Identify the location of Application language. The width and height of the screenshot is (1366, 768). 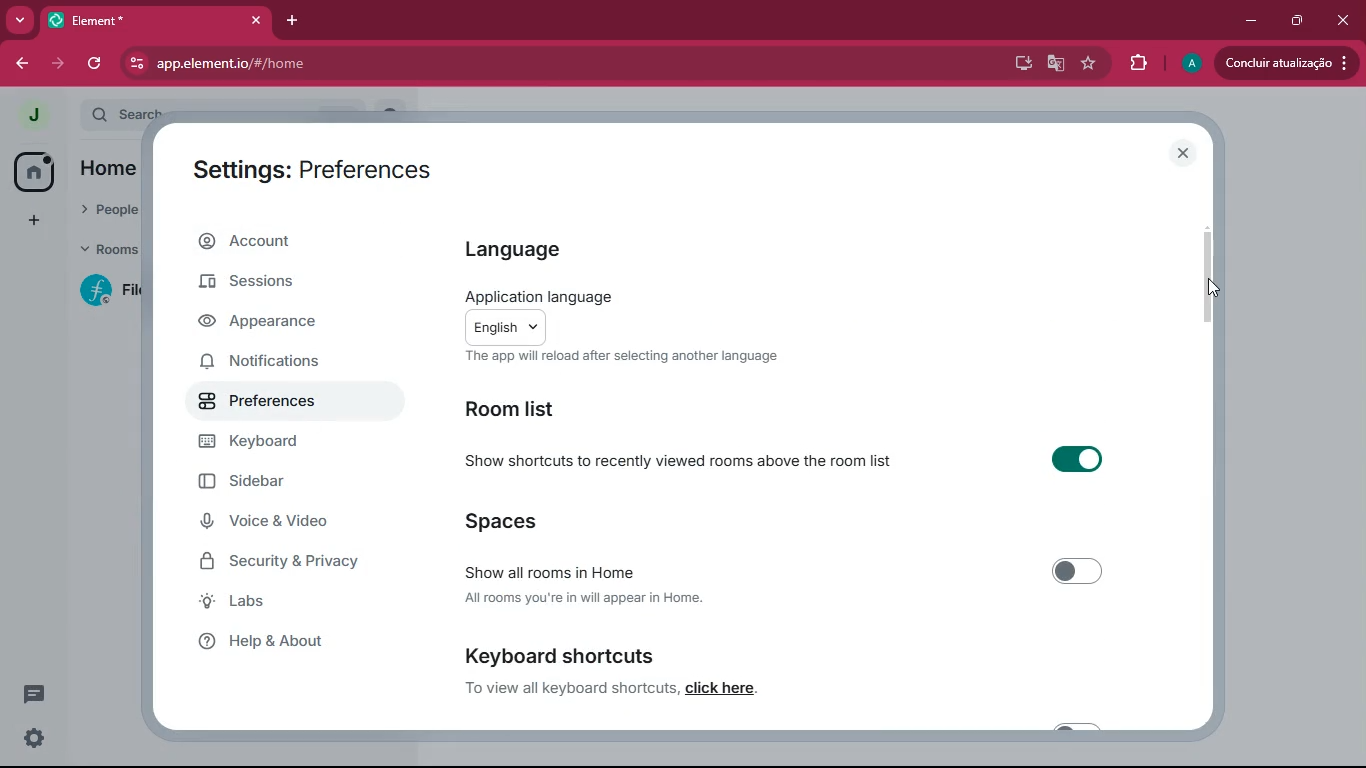
(532, 297).